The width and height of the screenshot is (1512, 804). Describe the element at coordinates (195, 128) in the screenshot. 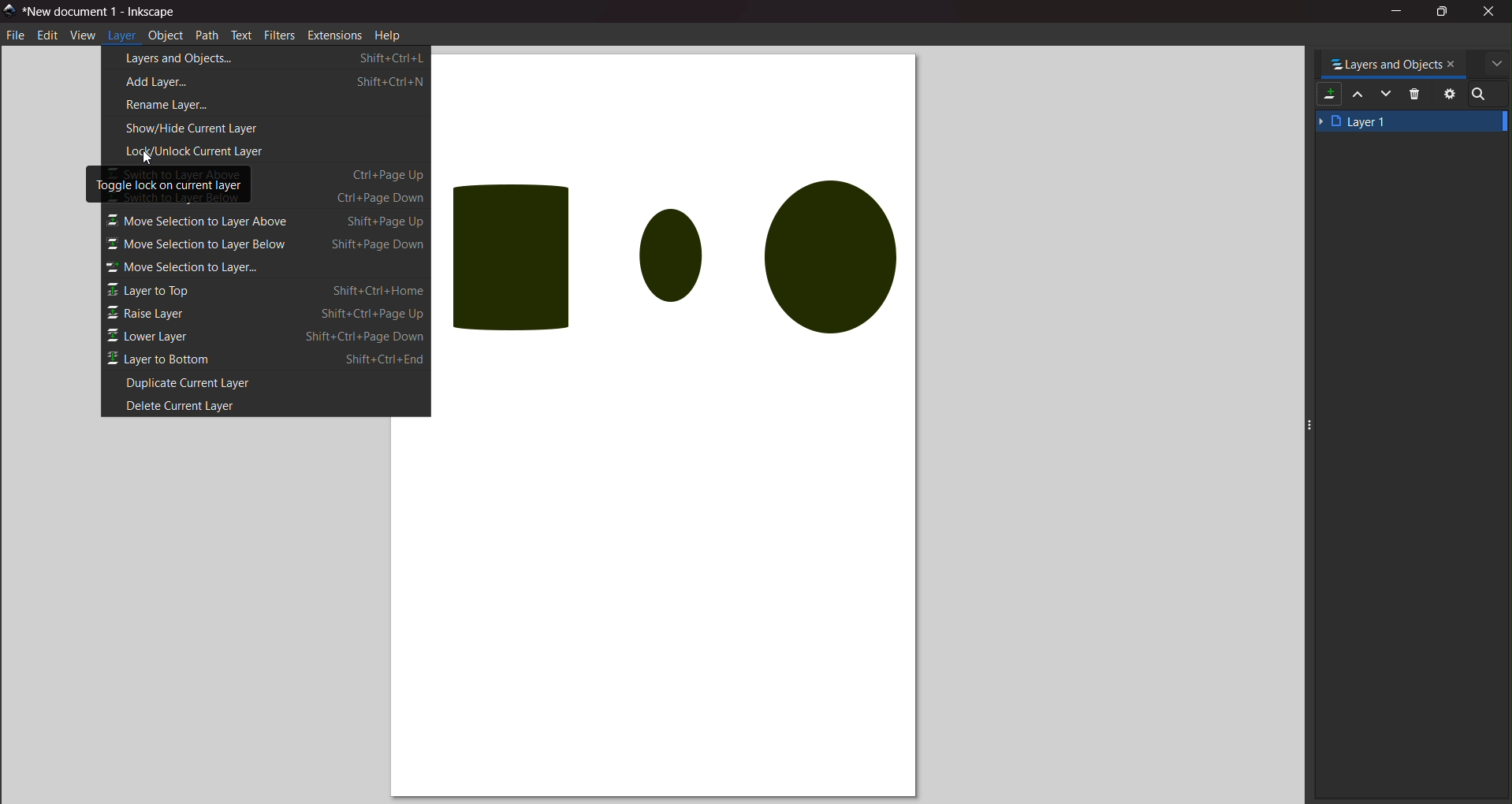

I see `show/hide current layer` at that location.